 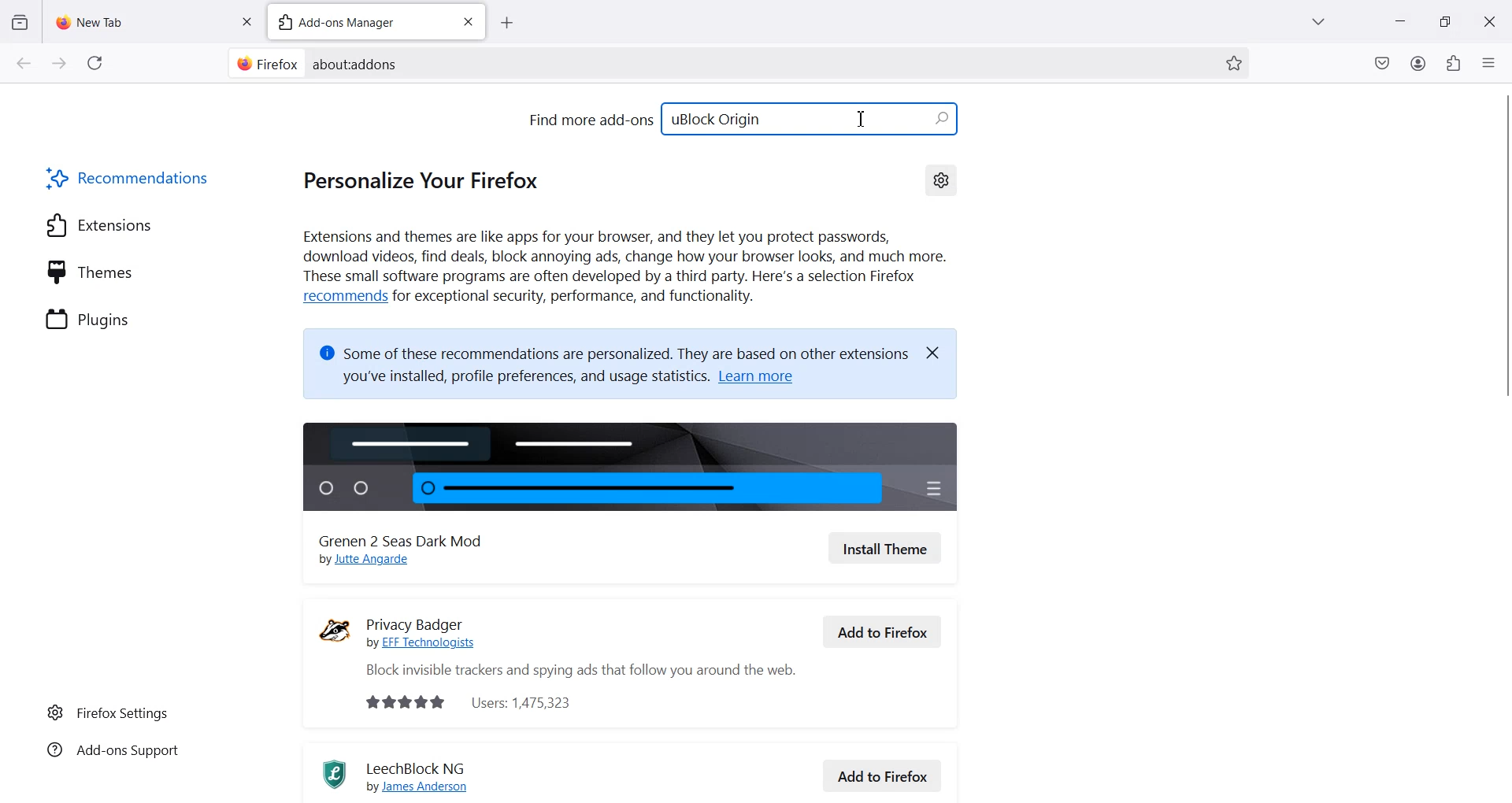 I want to click on View recent Browsing, so click(x=20, y=23).